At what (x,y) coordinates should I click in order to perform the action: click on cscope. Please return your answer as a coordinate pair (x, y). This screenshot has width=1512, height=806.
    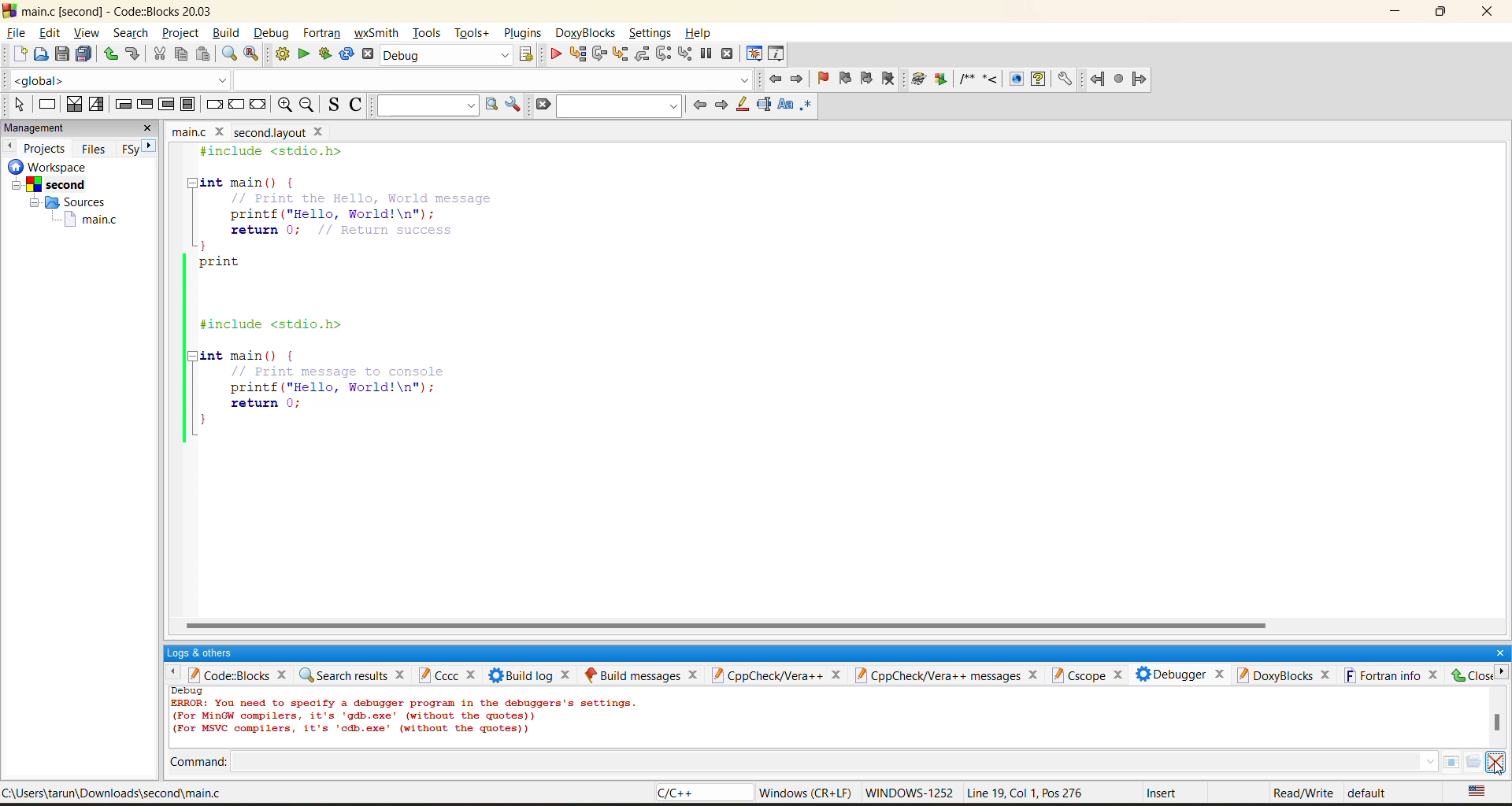
    Looking at the image, I should click on (1090, 675).